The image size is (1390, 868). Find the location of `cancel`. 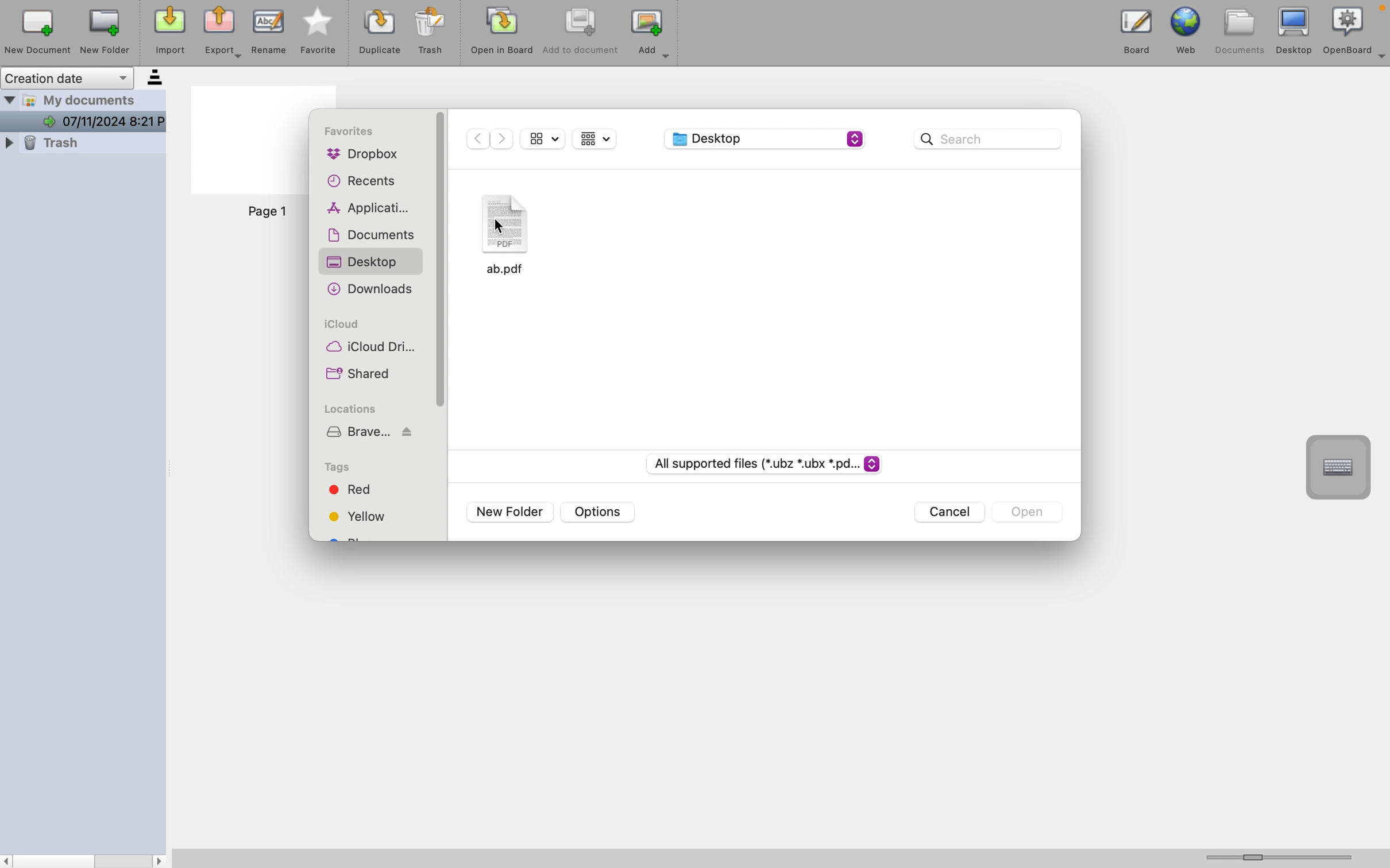

cancel is located at coordinates (952, 513).